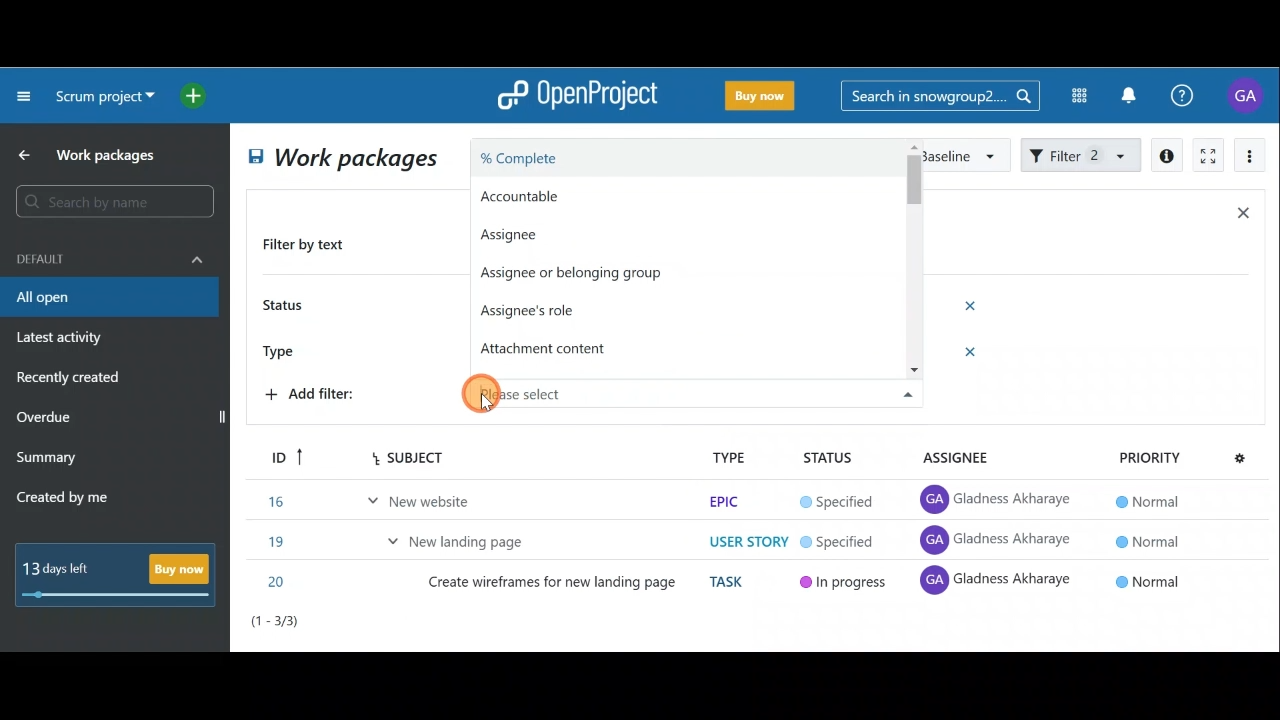 This screenshot has width=1280, height=720. Describe the element at coordinates (534, 233) in the screenshot. I see `Assignee` at that location.